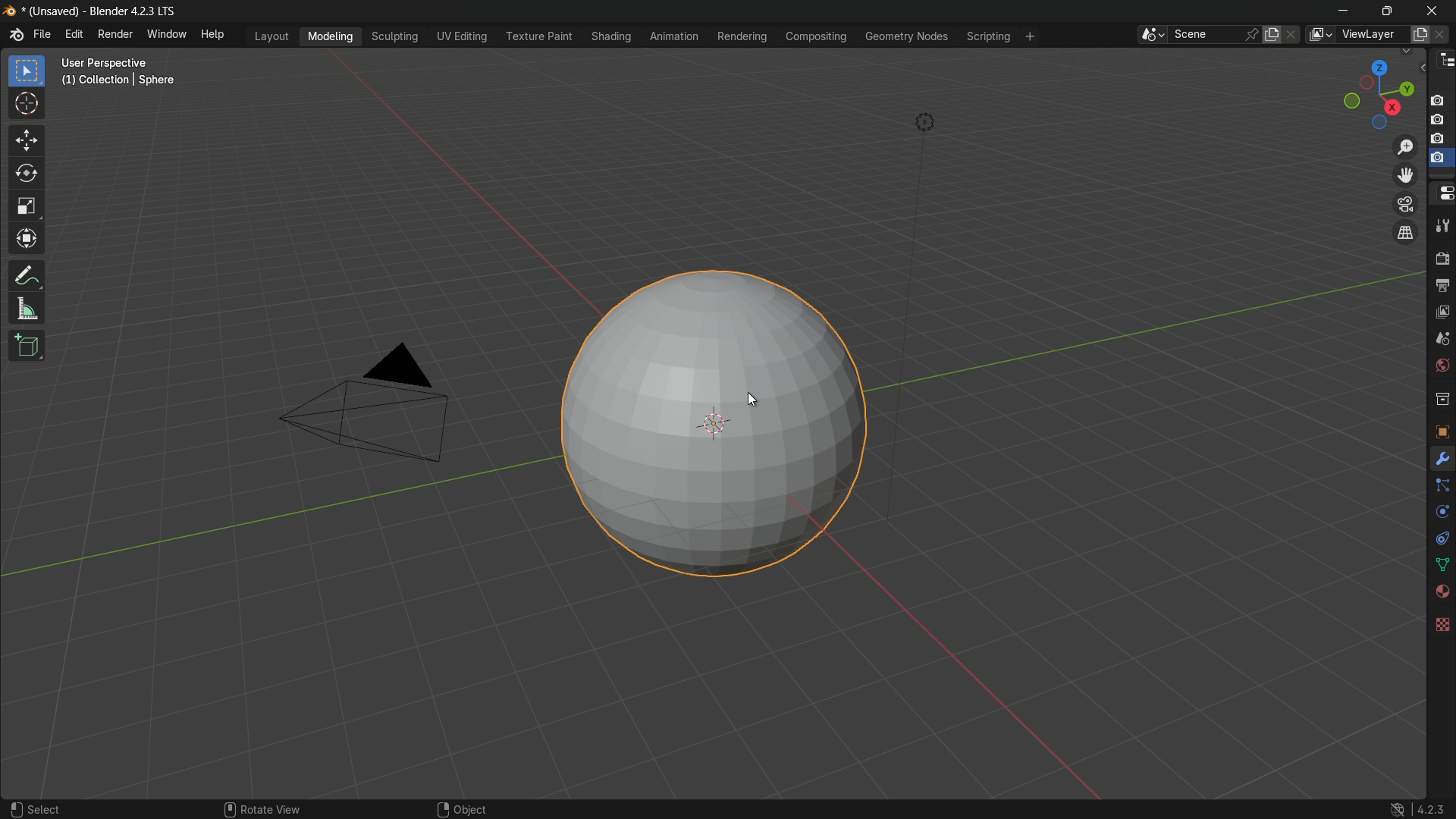  Describe the element at coordinates (743, 36) in the screenshot. I see `rendering menu` at that location.